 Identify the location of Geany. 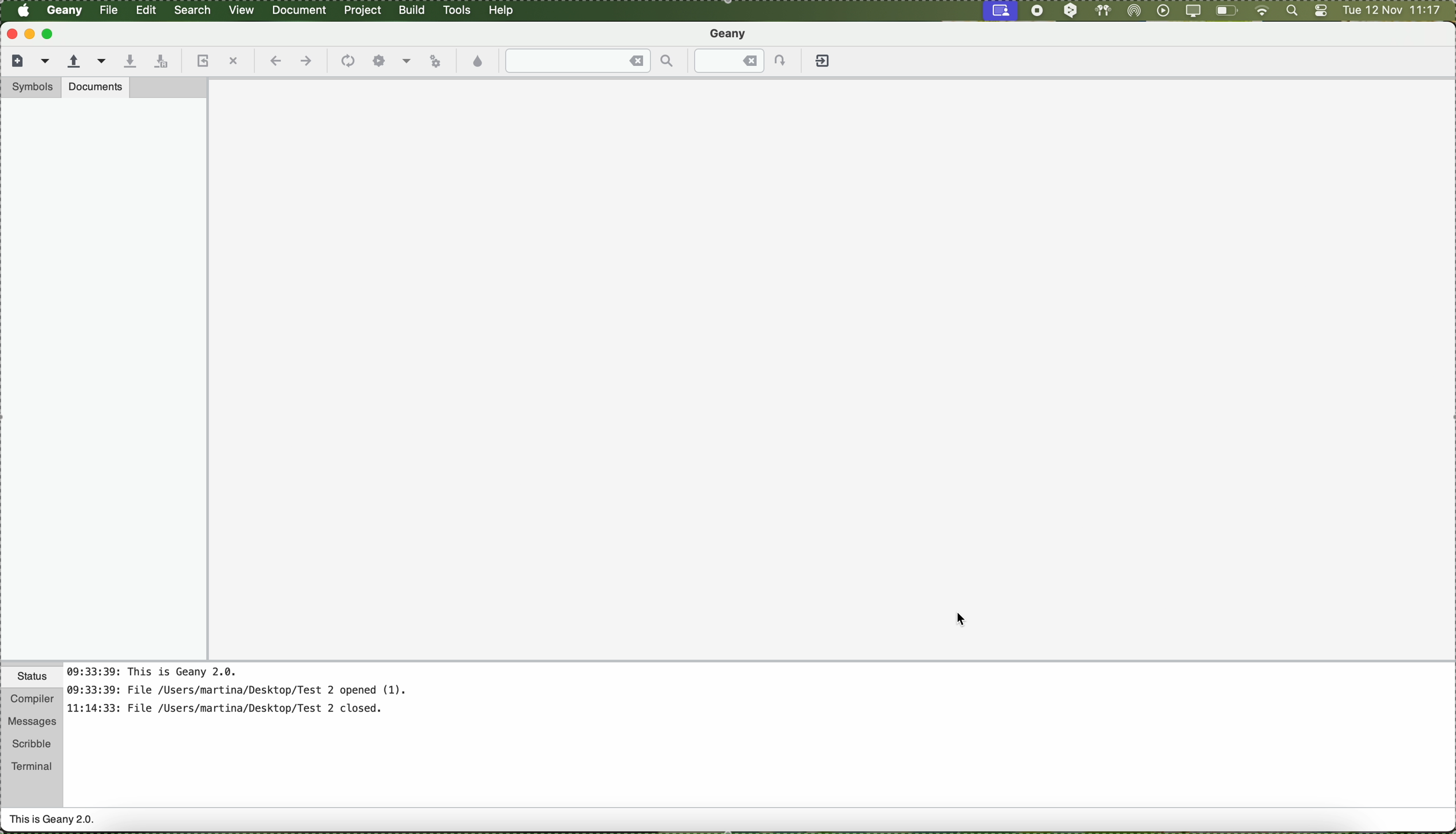
(65, 11).